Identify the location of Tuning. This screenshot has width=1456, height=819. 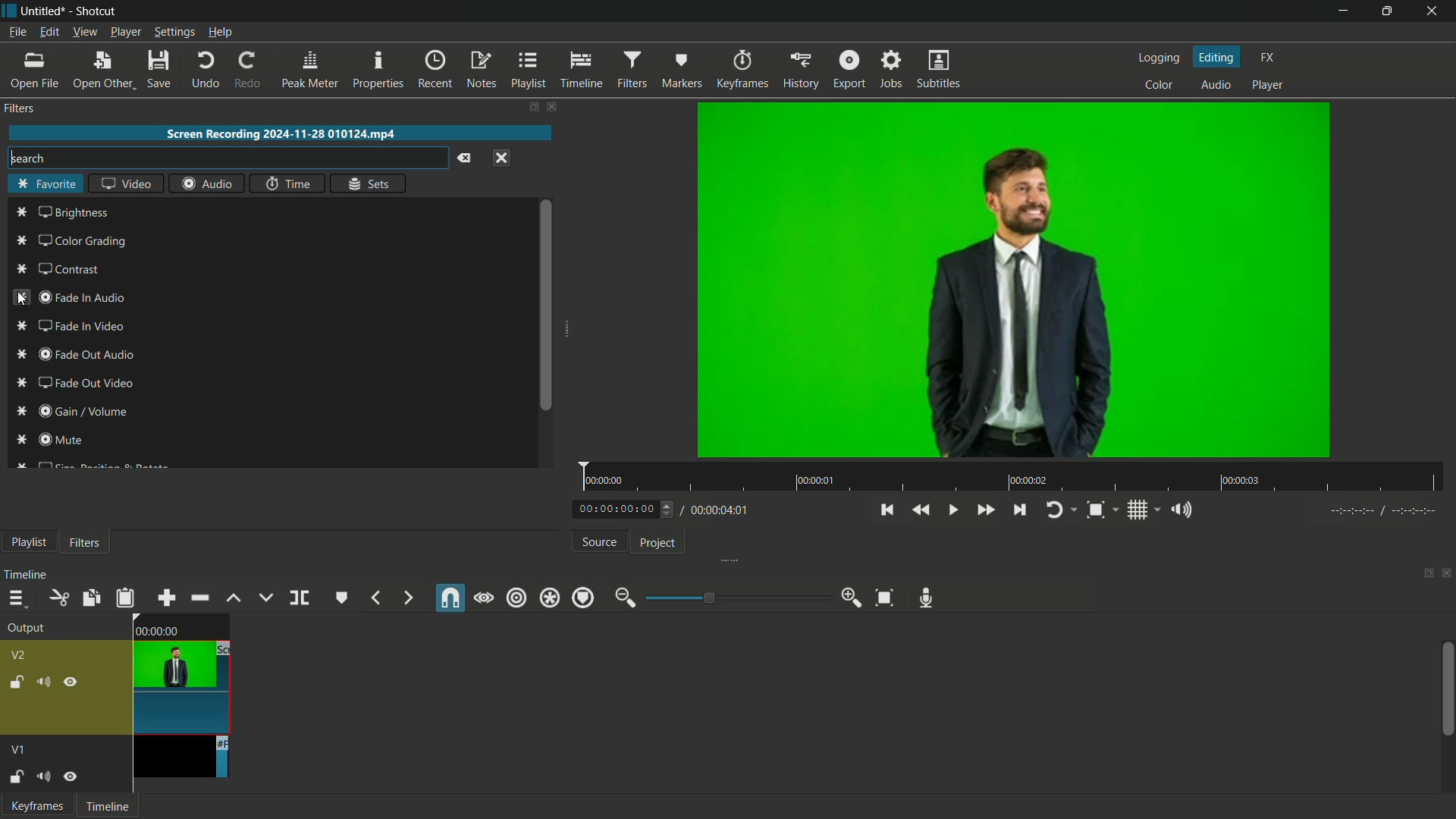
(1384, 511).